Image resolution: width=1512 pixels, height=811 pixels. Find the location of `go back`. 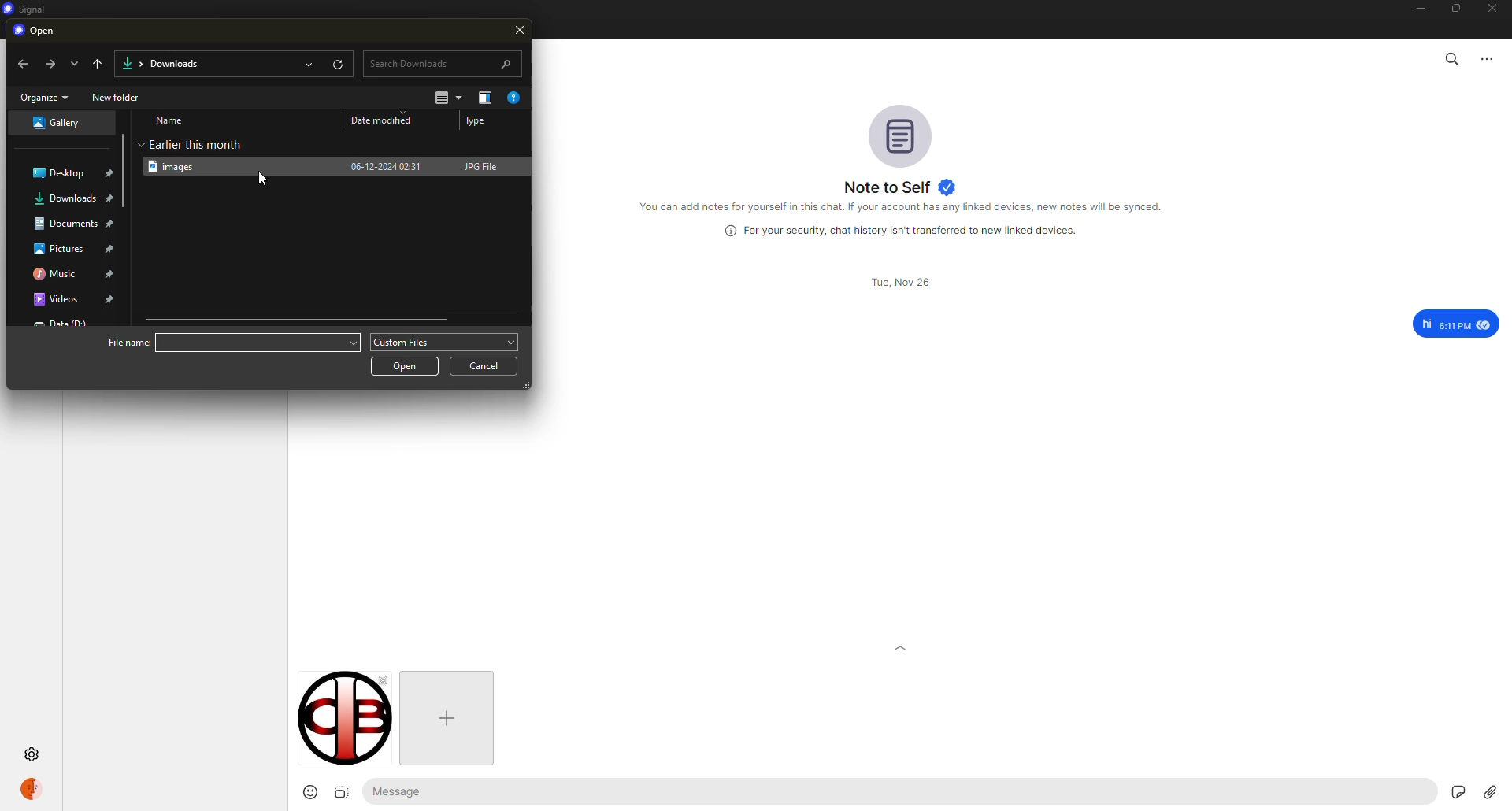

go back is located at coordinates (99, 62).